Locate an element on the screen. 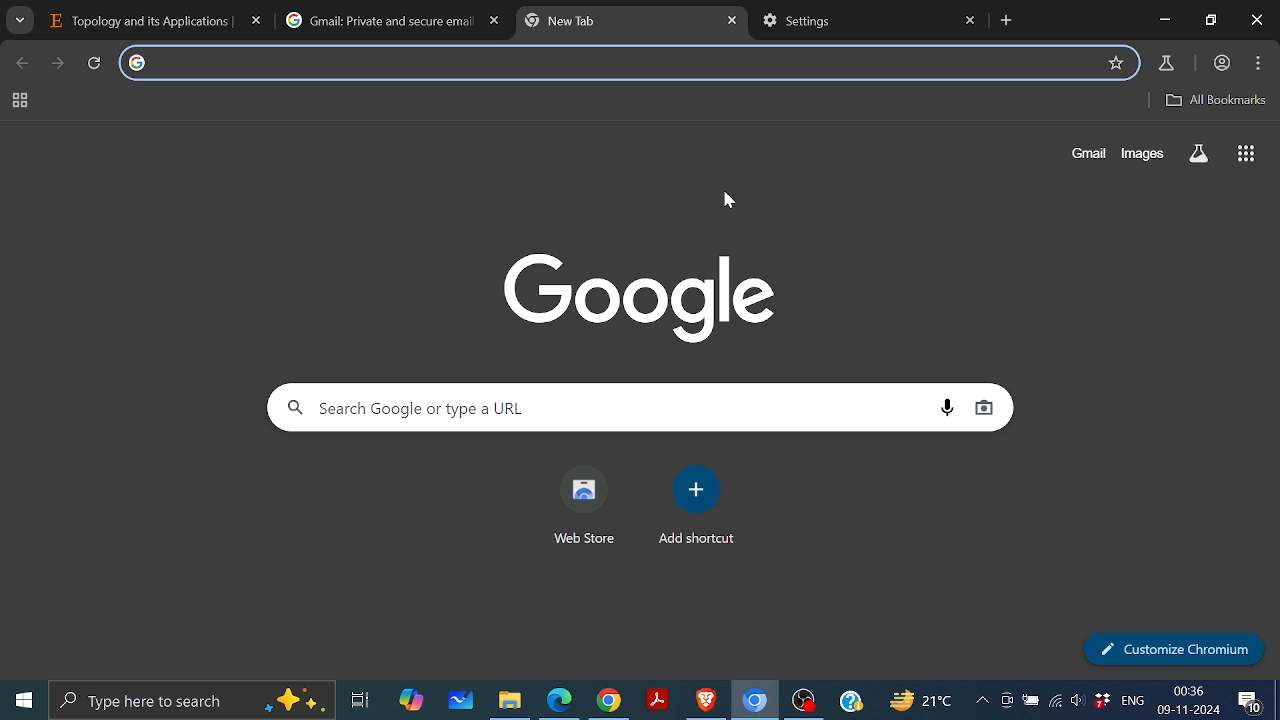 The width and height of the screenshot is (1280, 720). whiteboard is located at coordinates (462, 701).